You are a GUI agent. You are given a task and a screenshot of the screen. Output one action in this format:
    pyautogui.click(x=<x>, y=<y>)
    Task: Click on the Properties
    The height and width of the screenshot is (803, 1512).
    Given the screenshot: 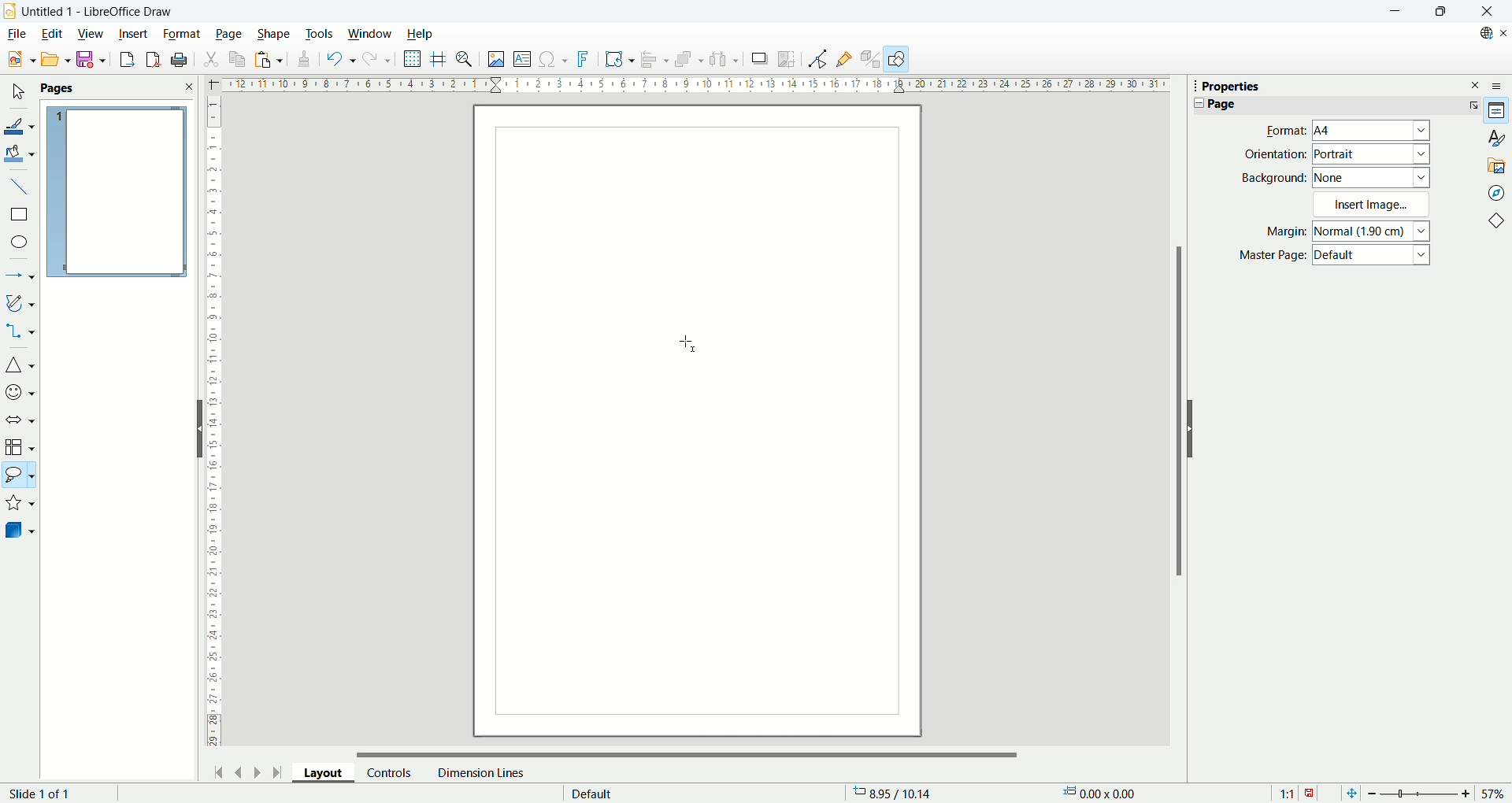 What is the action you would take?
    pyautogui.click(x=1231, y=87)
    